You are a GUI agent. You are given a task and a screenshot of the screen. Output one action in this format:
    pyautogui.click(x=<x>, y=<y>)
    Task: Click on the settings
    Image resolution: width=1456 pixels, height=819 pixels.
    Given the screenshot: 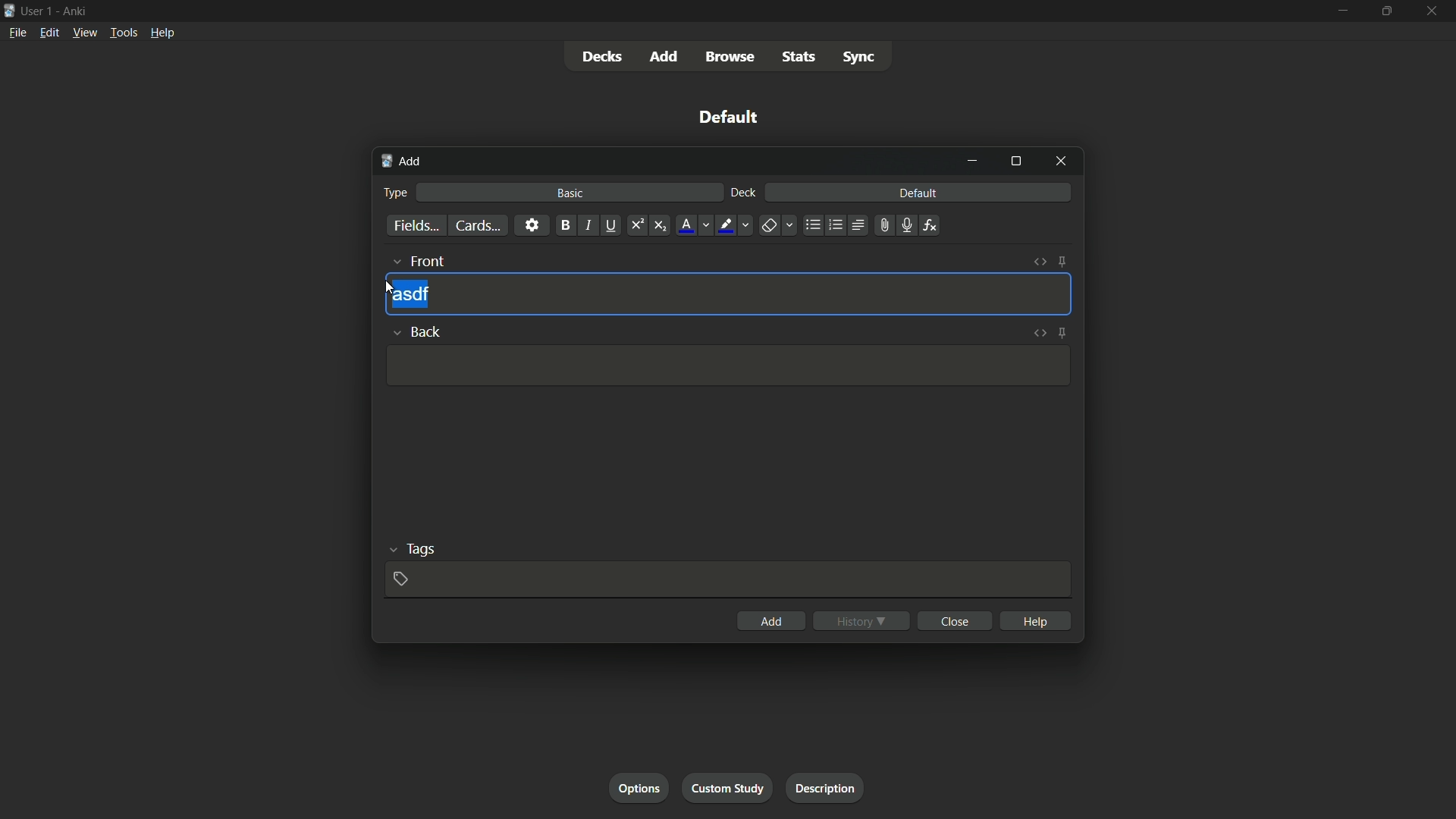 What is the action you would take?
    pyautogui.click(x=532, y=225)
    